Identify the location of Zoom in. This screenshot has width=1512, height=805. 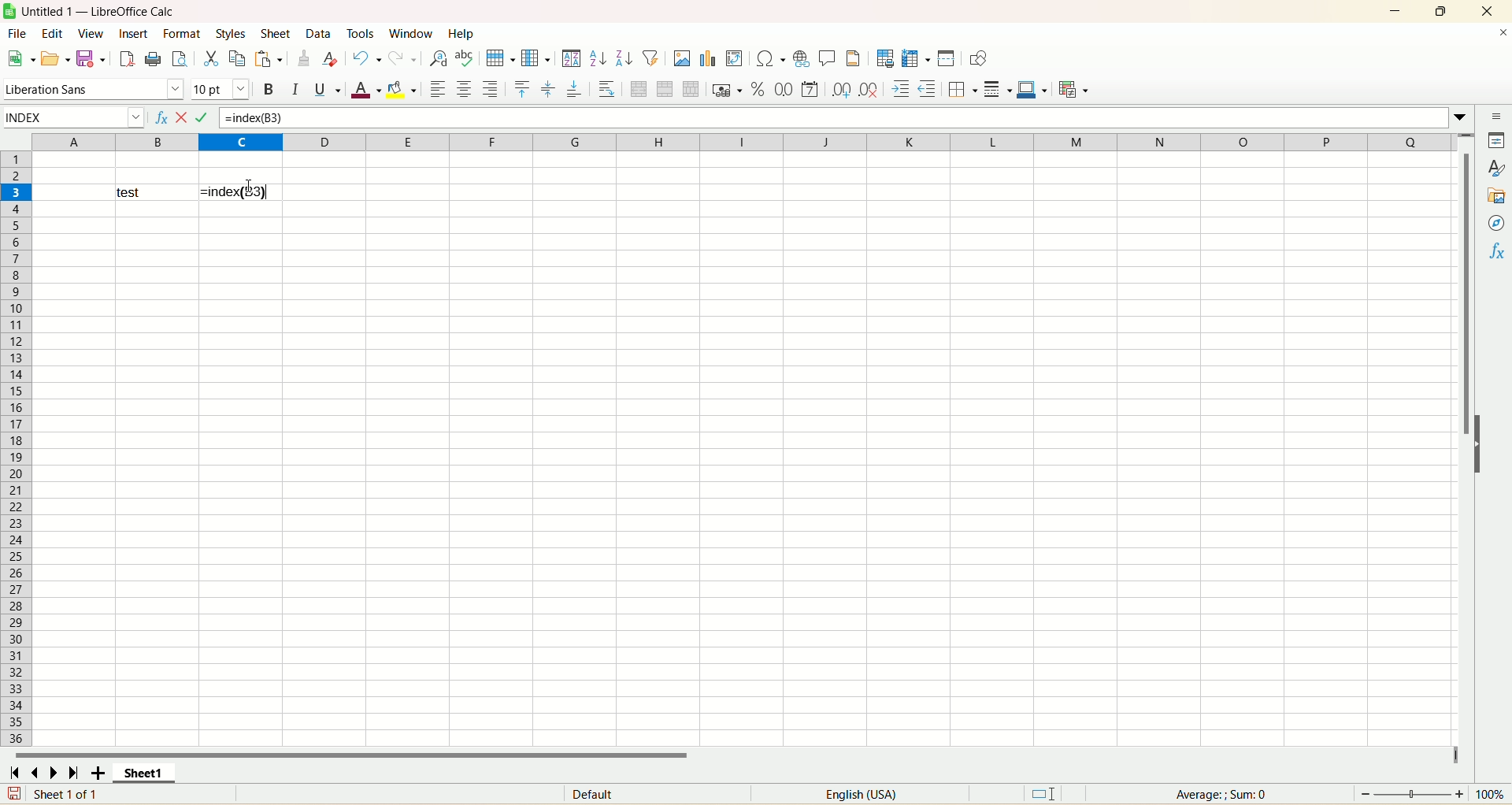
(1459, 794).